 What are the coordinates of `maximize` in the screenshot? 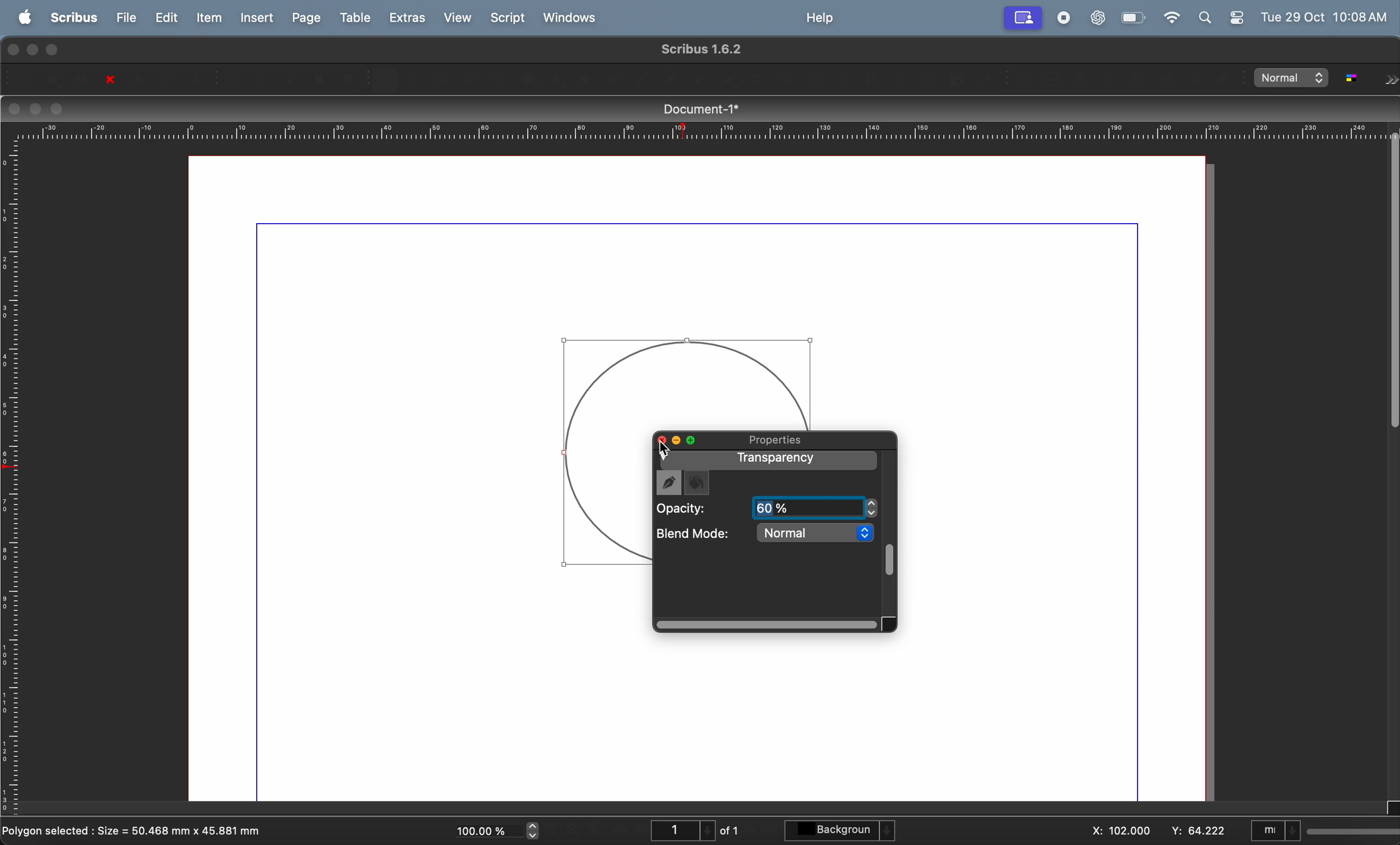 It's located at (694, 442).